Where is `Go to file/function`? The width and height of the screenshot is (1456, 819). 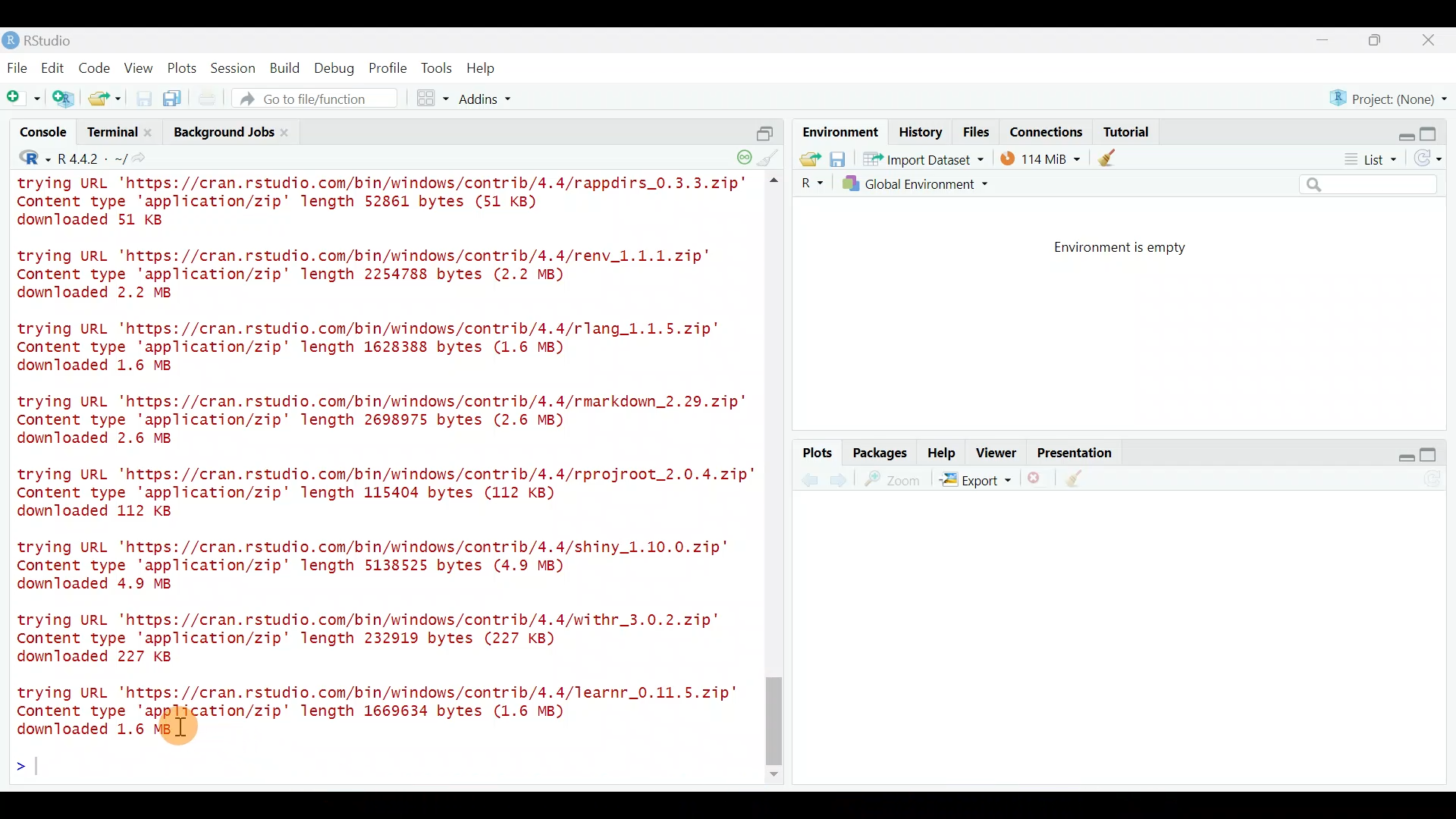
Go to file/function is located at coordinates (322, 99).